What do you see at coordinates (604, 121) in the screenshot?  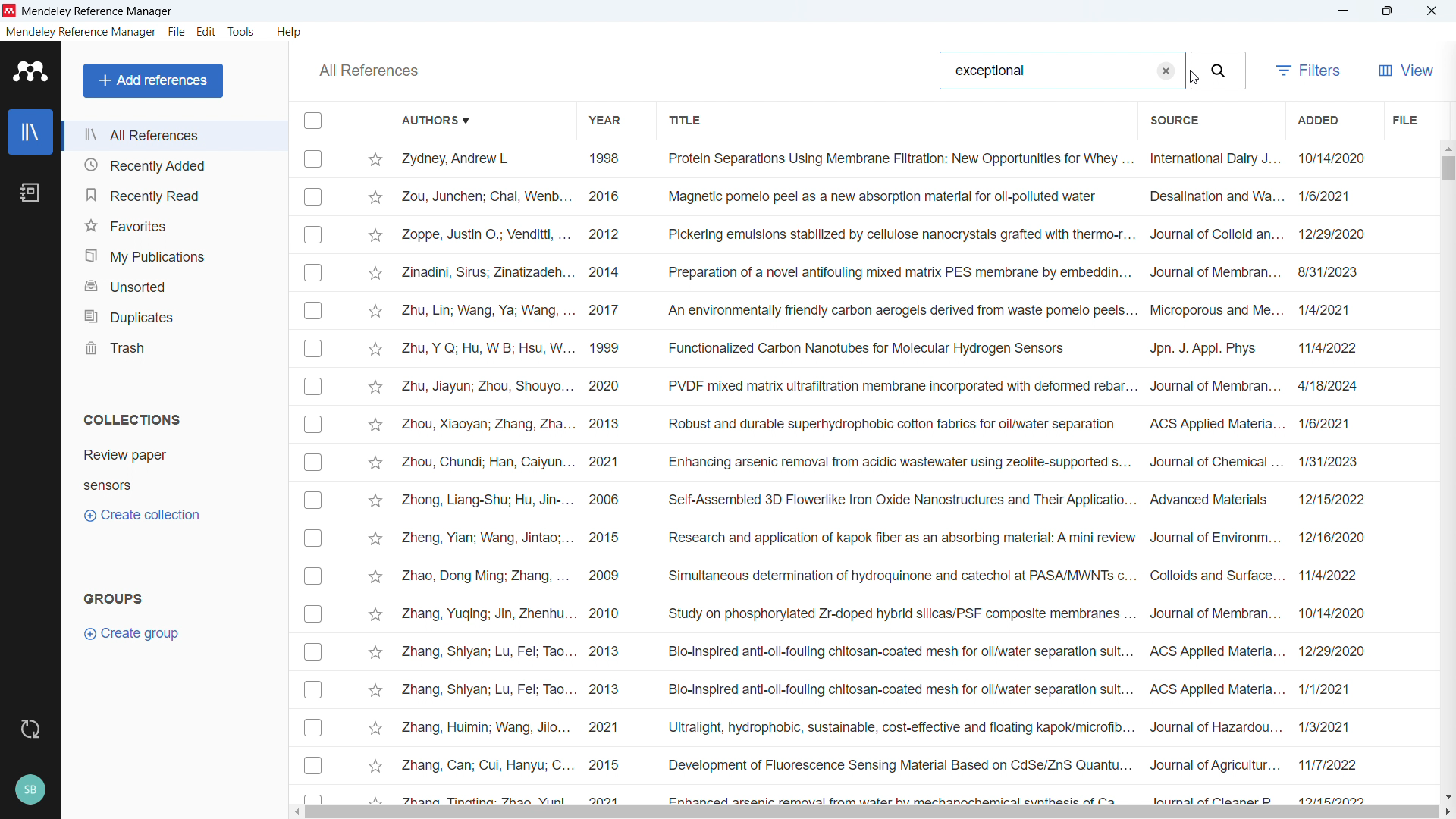 I see `Sort by year ` at bounding box center [604, 121].